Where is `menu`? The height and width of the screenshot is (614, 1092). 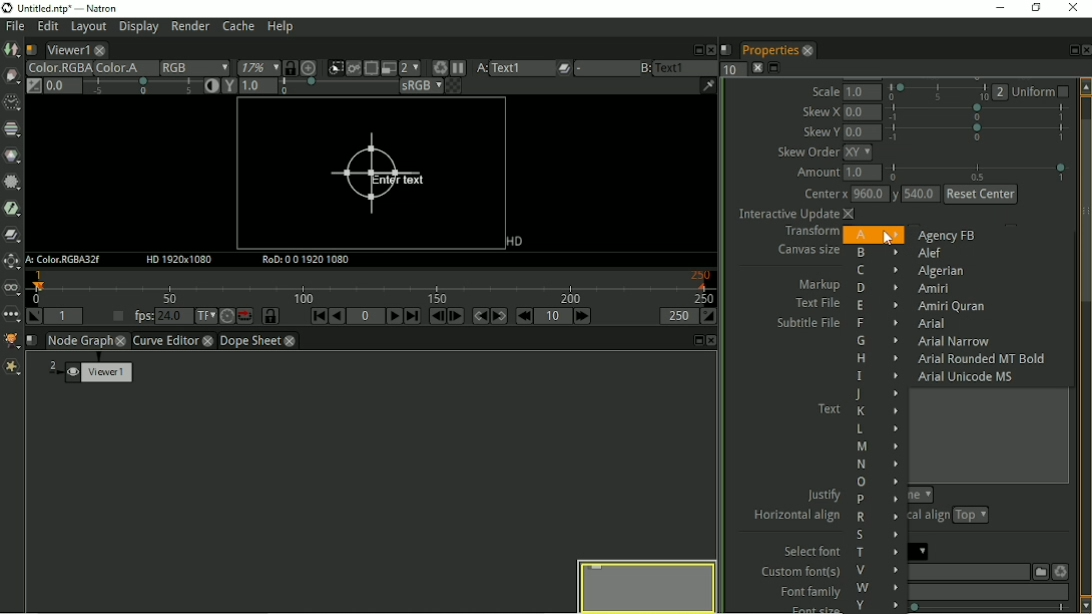 menu is located at coordinates (604, 69).